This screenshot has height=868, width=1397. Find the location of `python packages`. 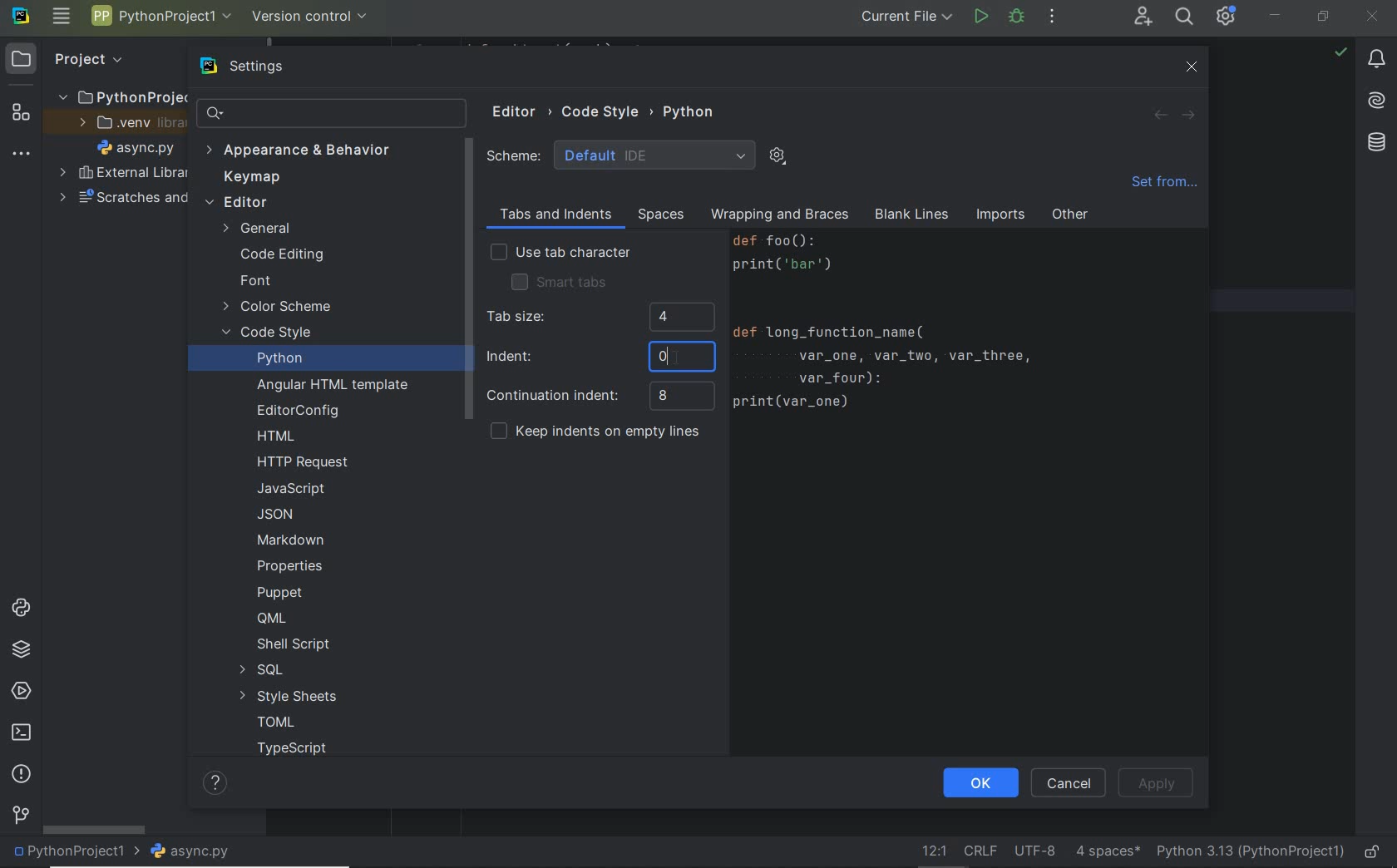

python packages is located at coordinates (24, 652).